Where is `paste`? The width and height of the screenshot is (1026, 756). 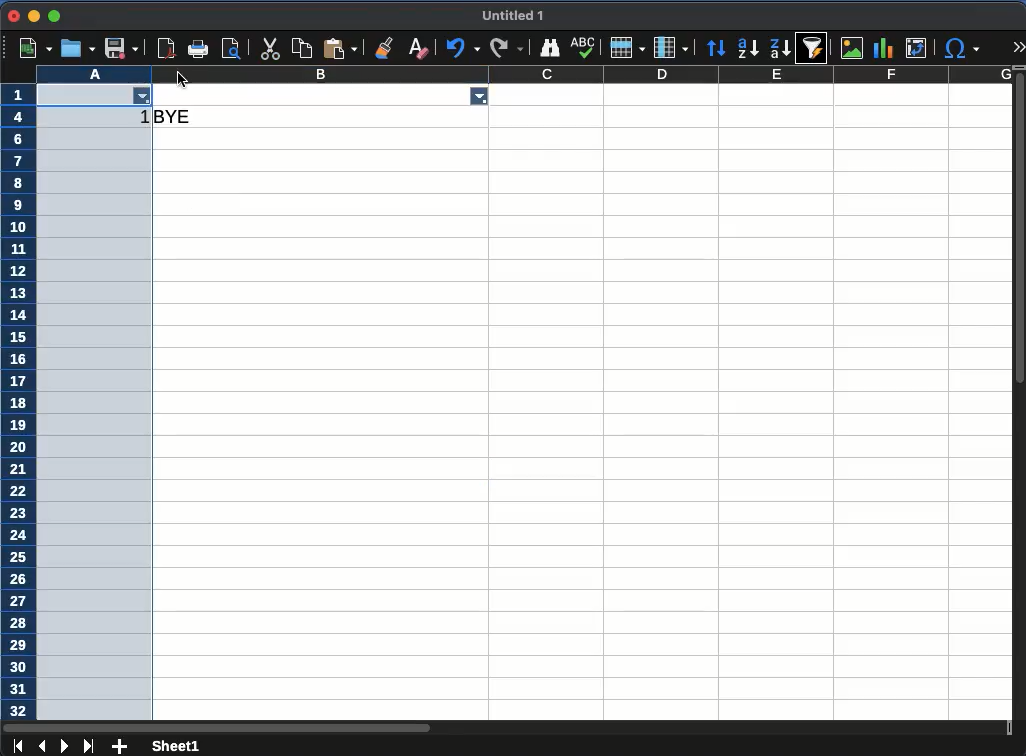 paste is located at coordinates (303, 48).